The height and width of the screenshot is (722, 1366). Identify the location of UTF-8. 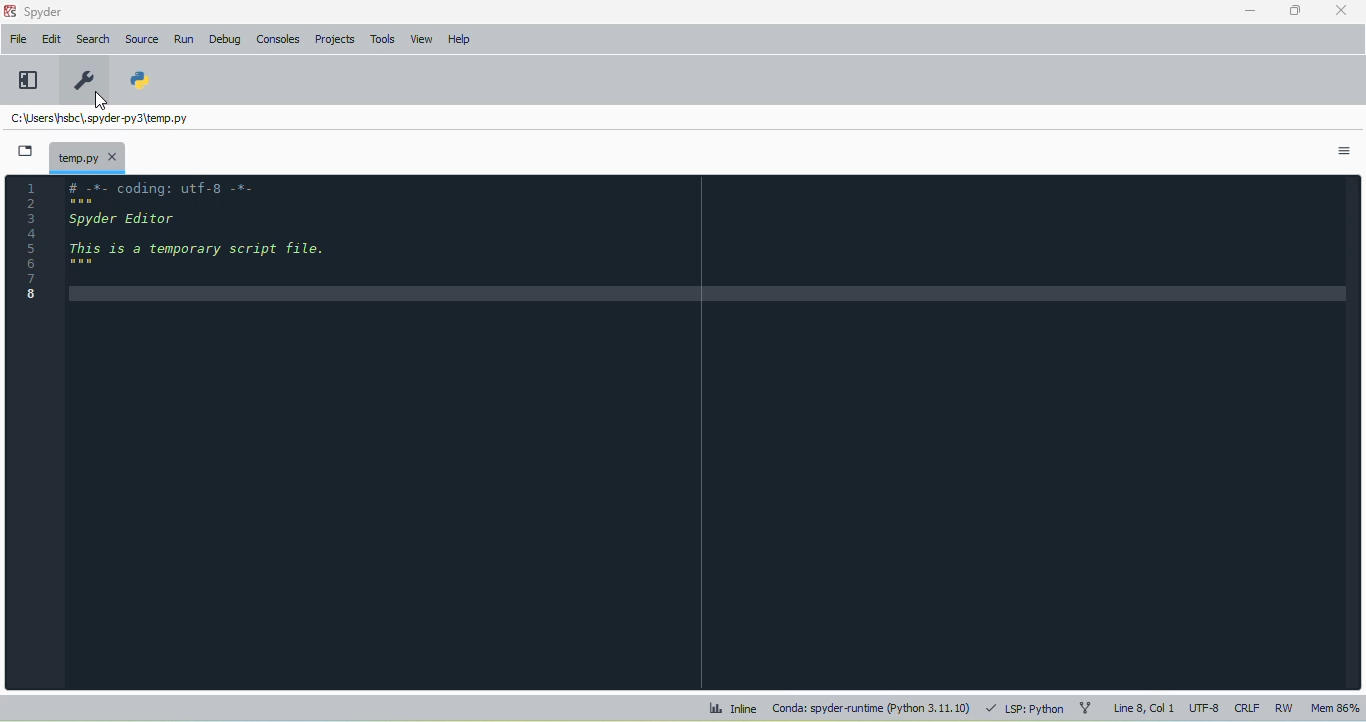
(1205, 707).